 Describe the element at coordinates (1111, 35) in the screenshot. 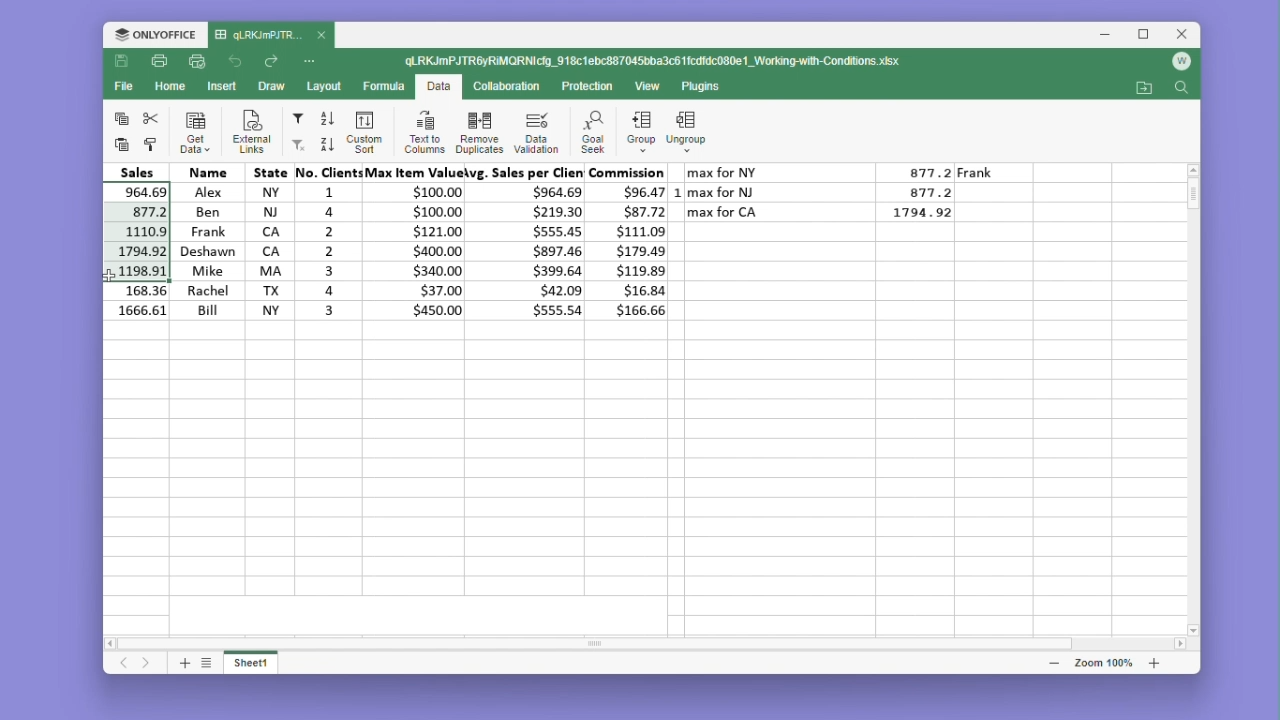

I see `Minimise ` at that location.